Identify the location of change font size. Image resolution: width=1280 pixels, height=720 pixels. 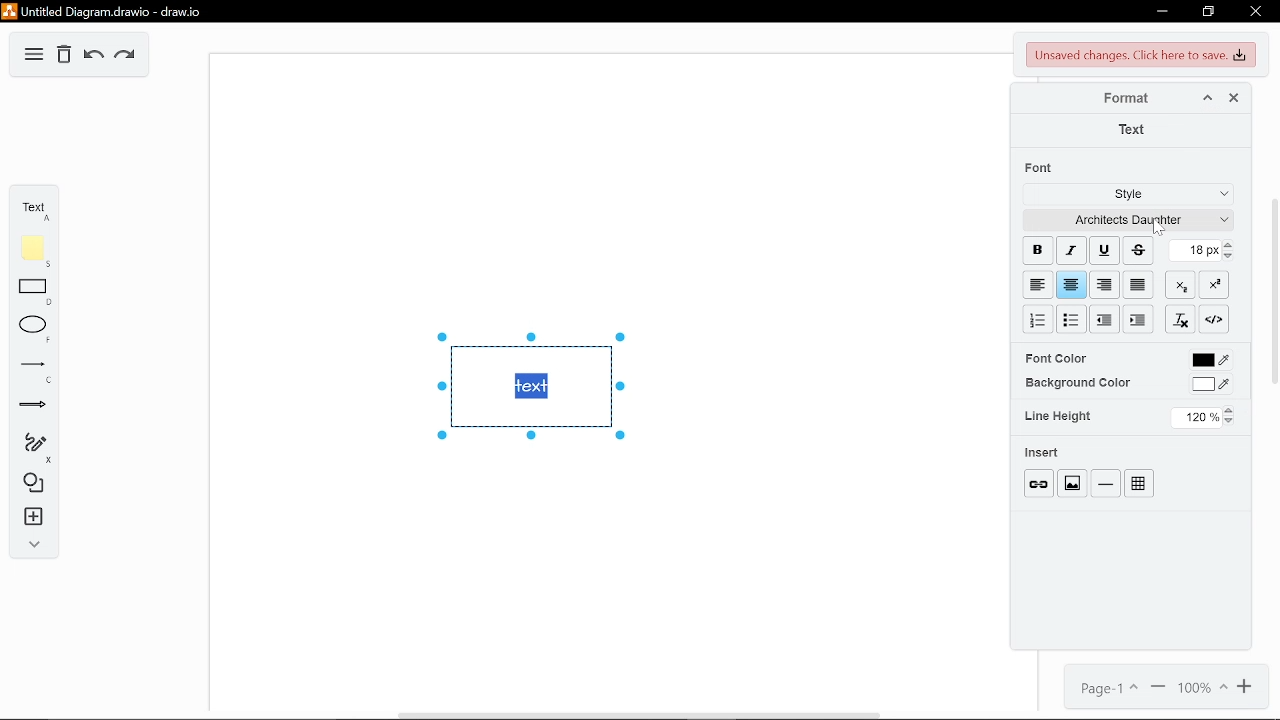
(1203, 251).